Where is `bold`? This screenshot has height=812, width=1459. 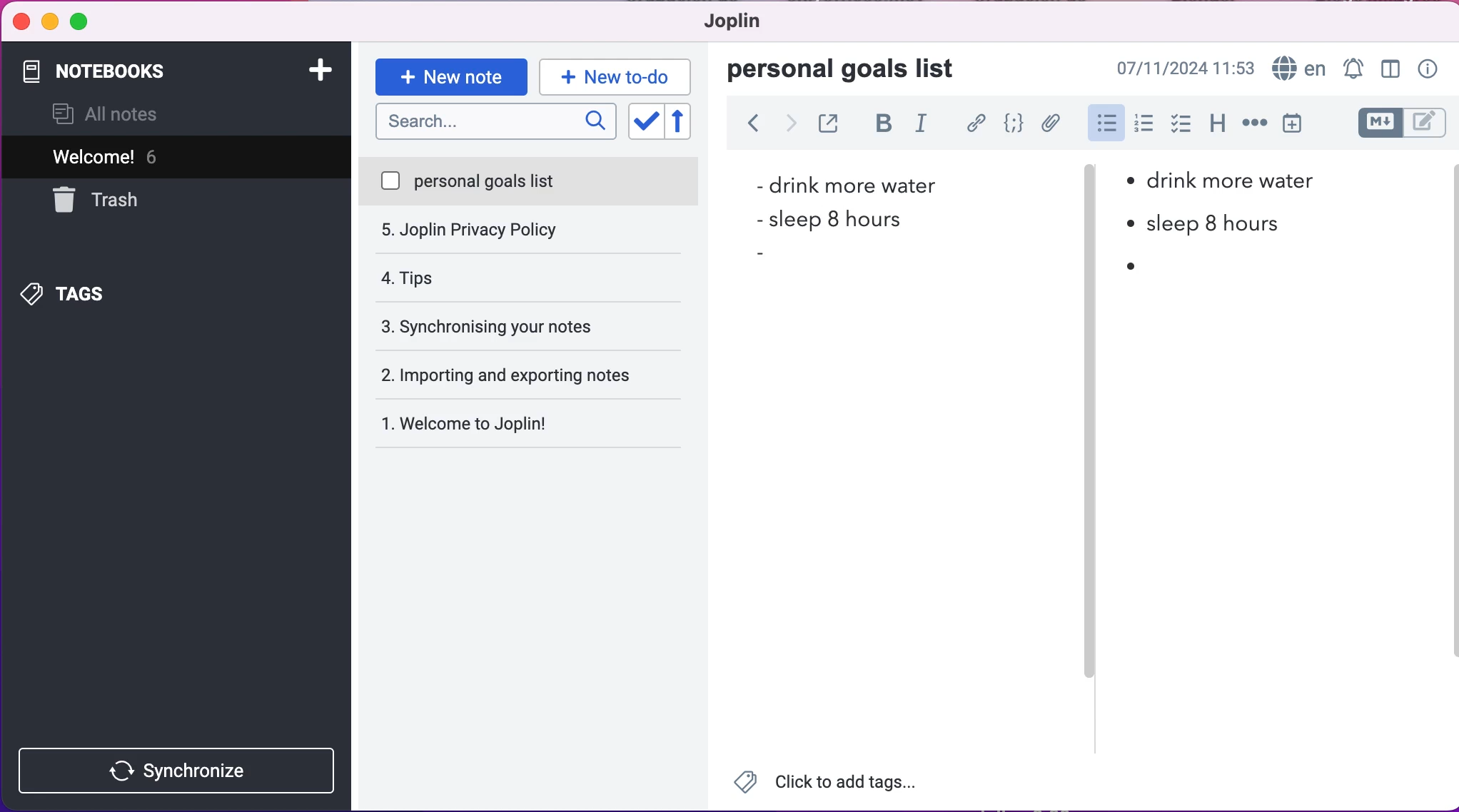 bold is located at coordinates (880, 126).